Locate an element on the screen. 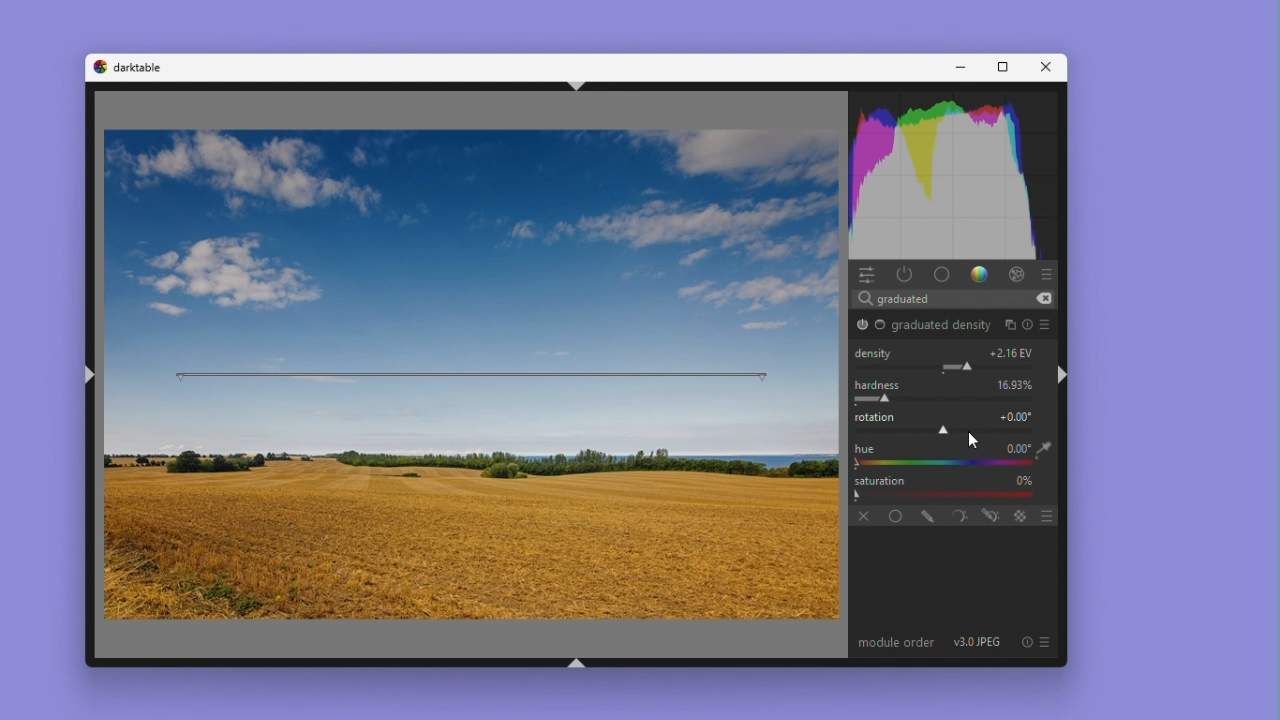 The image size is (1280, 720). shift+ctrl+t is located at coordinates (575, 86).